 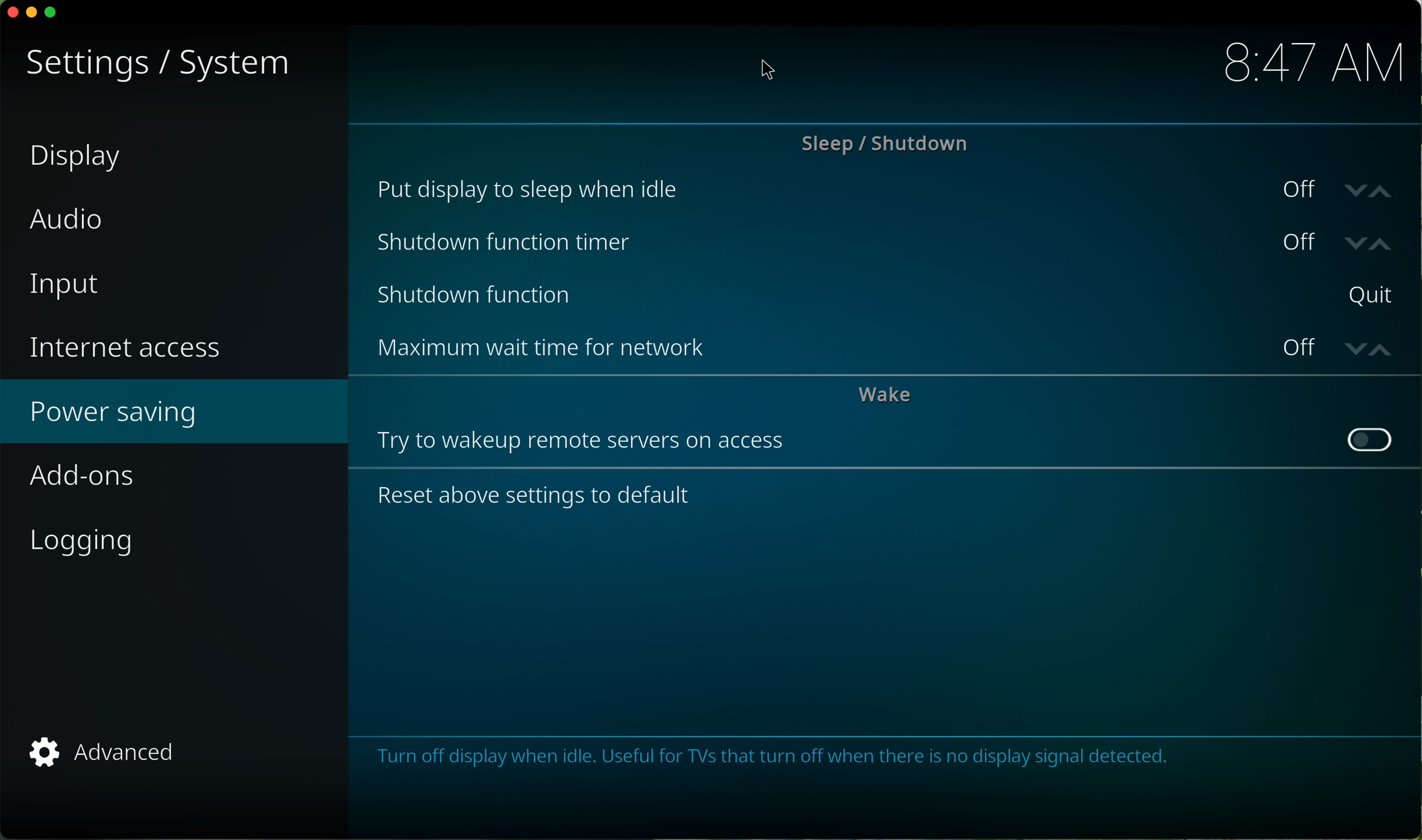 What do you see at coordinates (86, 542) in the screenshot?
I see `logging` at bounding box center [86, 542].